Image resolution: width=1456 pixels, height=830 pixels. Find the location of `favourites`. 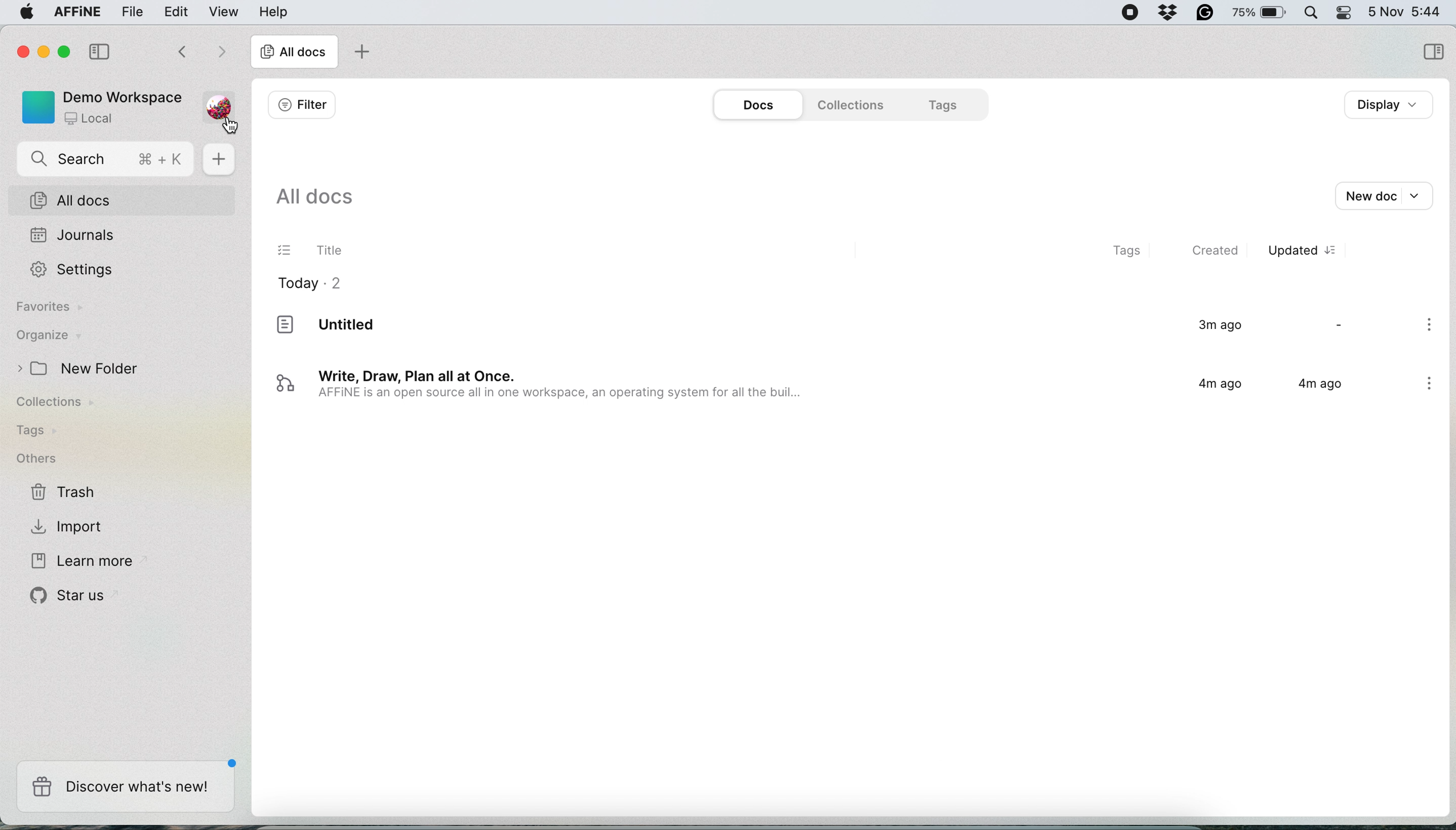

favourites is located at coordinates (52, 309).